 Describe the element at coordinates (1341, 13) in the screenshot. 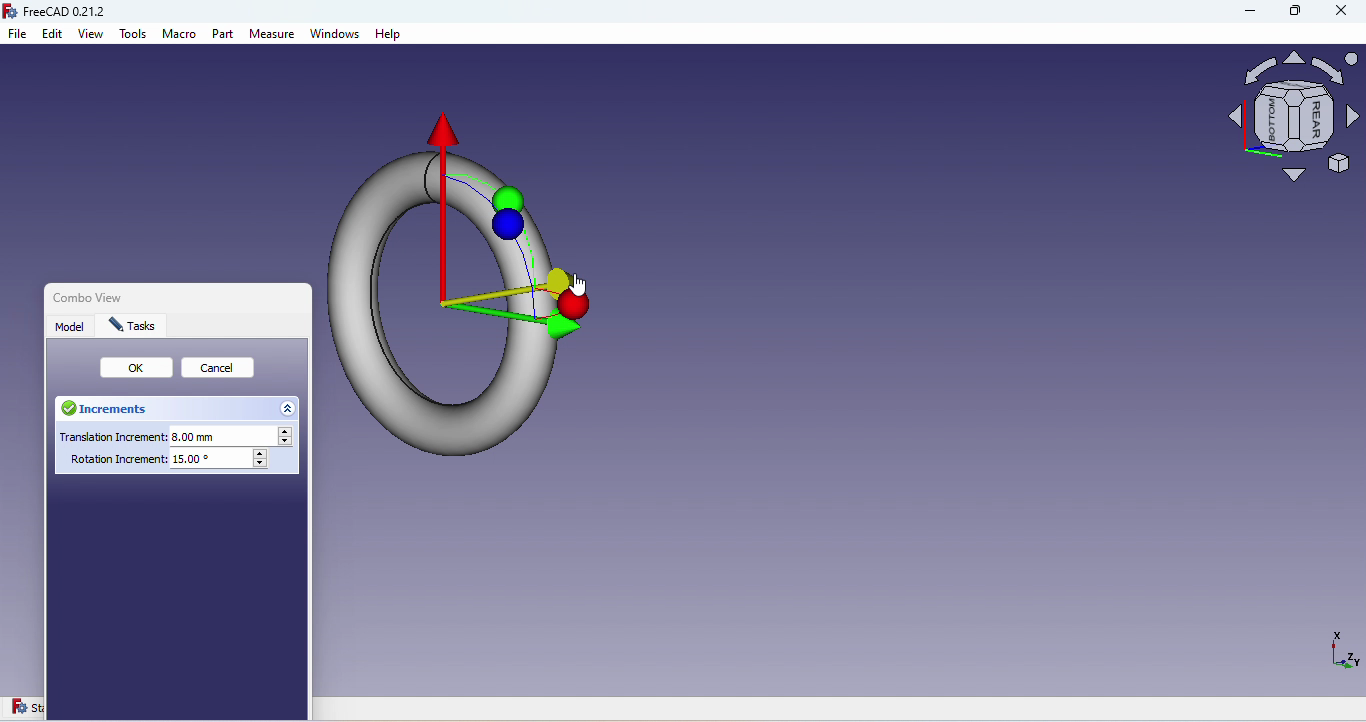

I see `Close` at that location.